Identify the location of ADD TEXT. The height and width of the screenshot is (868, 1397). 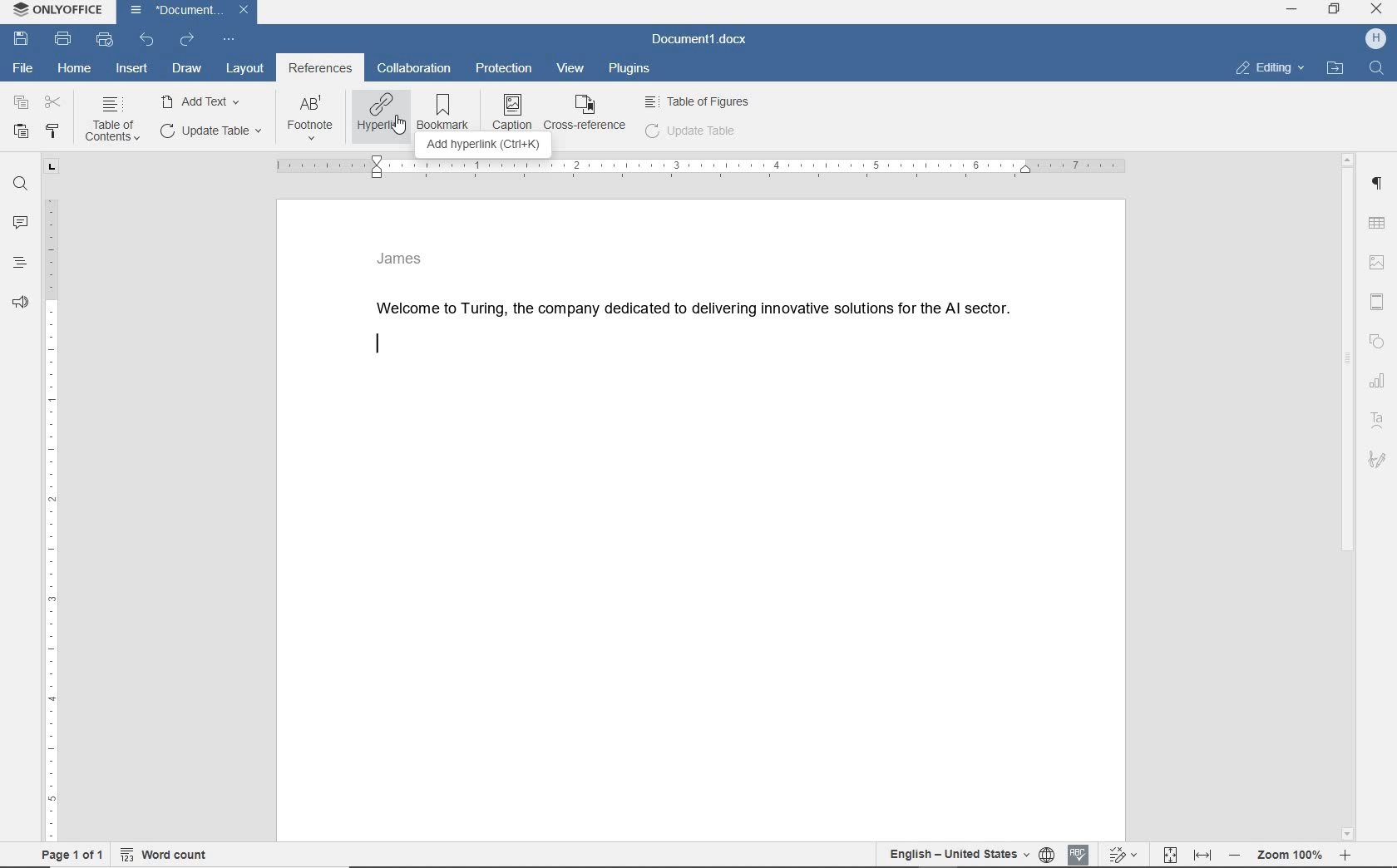
(204, 101).